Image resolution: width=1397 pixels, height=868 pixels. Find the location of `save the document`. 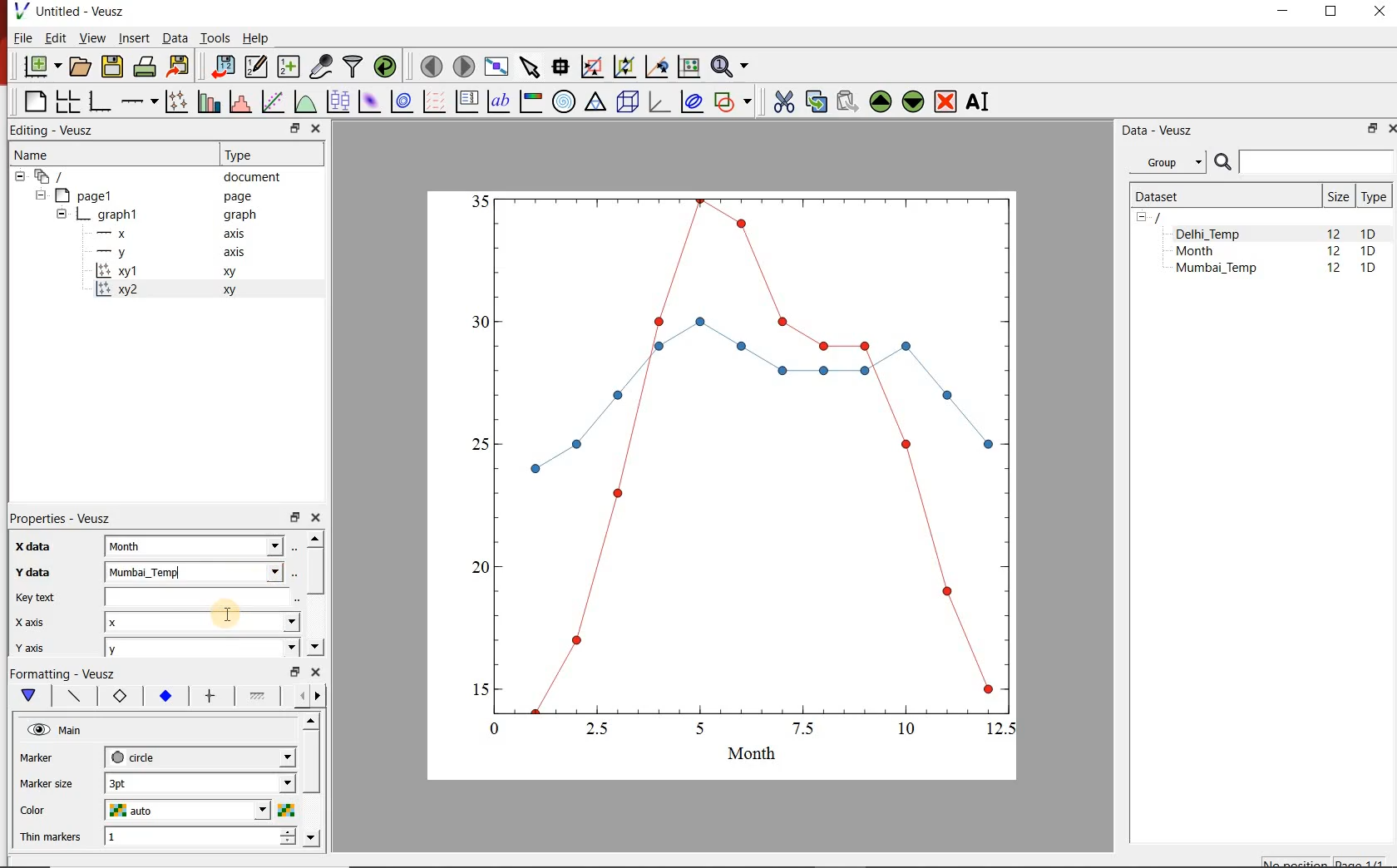

save the document is located at coordinates (111, 67).